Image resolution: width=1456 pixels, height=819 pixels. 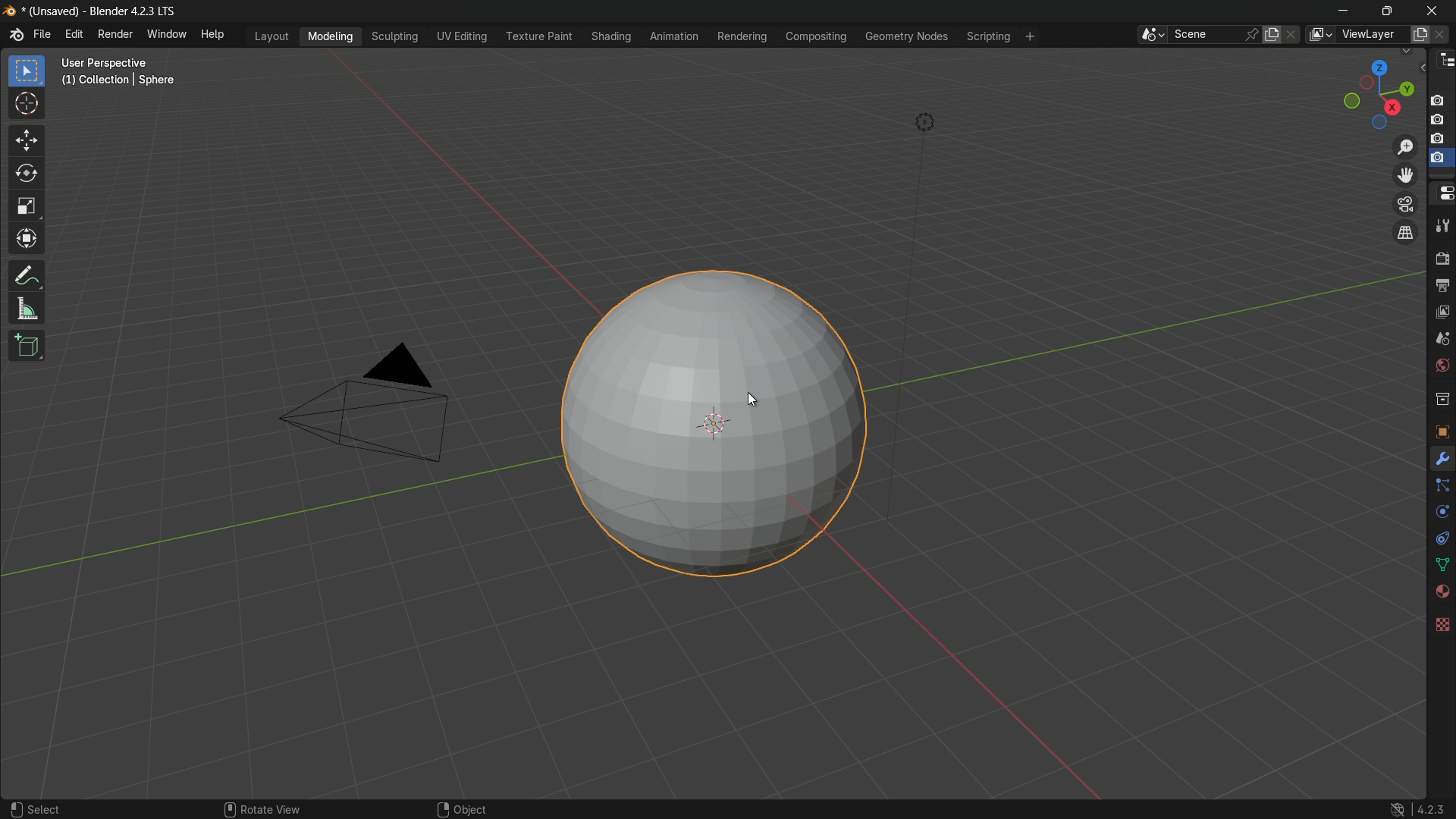 What do you see at coordinates (990, 38) in the screenshot?
I see `scripting menu` at bounding box center [990, 38].